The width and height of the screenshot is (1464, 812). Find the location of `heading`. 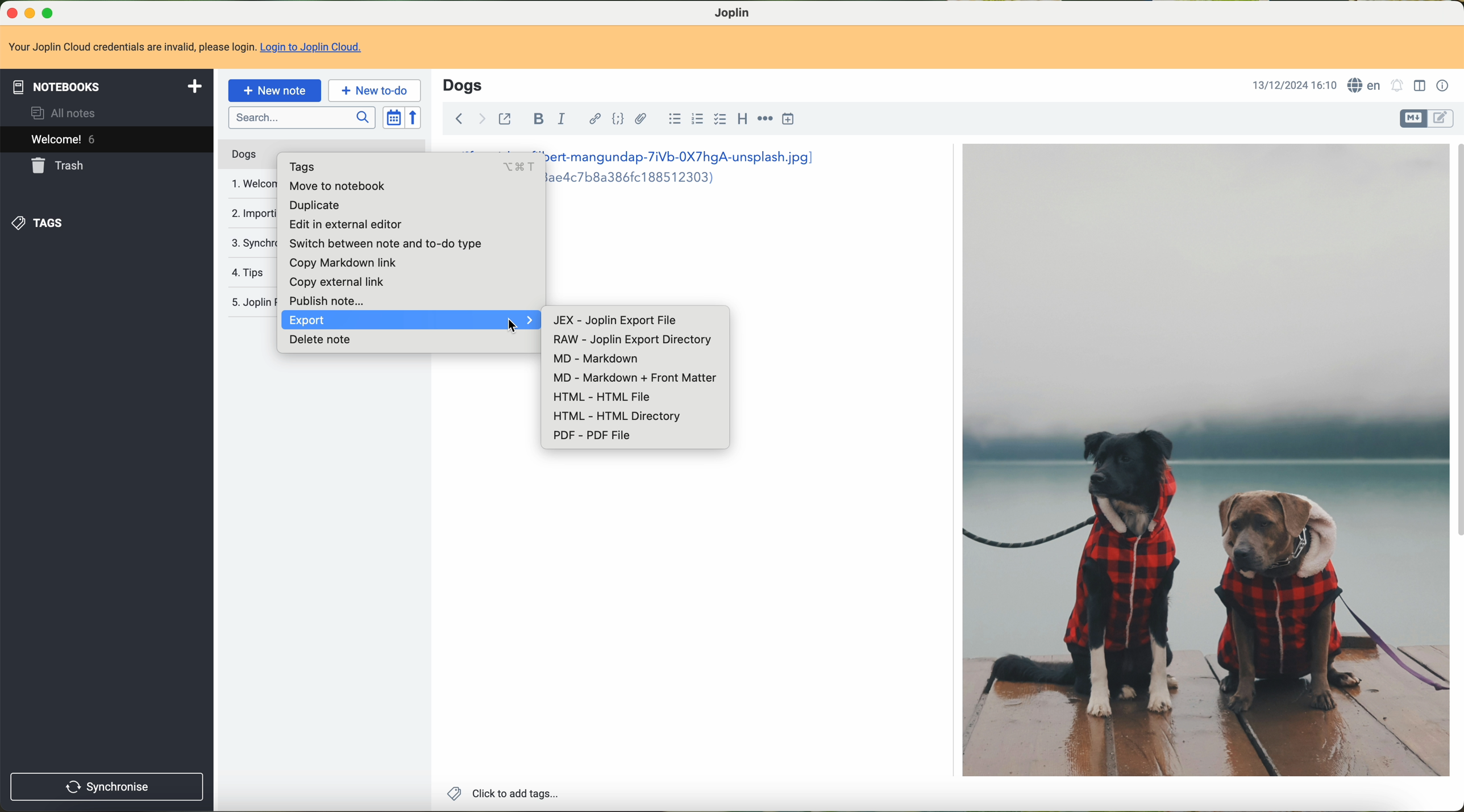

heading is located at coordinates (743, 120).